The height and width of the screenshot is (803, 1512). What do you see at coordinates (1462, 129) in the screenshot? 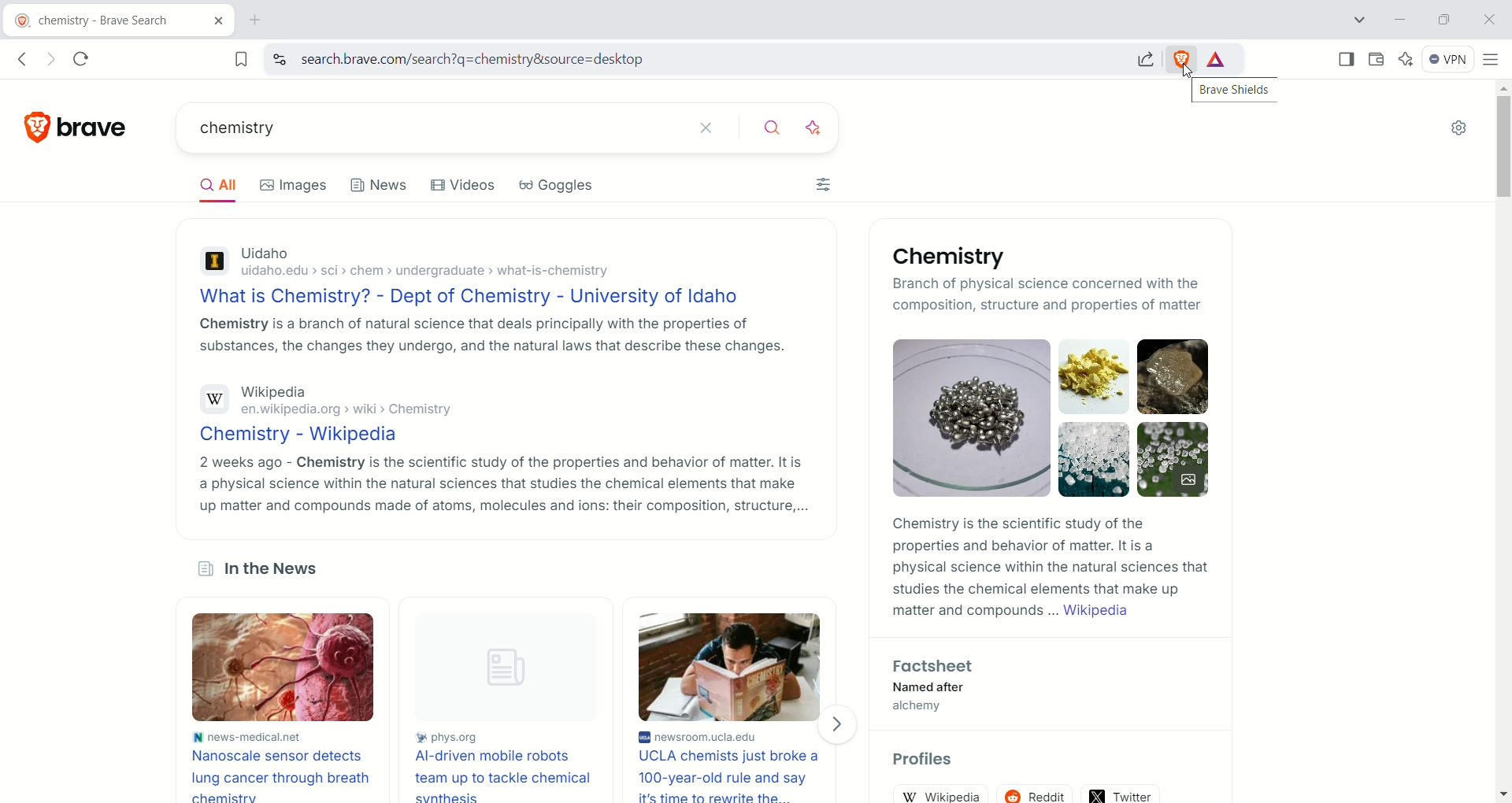
I see `settings` at bounding box center [1462, 129].